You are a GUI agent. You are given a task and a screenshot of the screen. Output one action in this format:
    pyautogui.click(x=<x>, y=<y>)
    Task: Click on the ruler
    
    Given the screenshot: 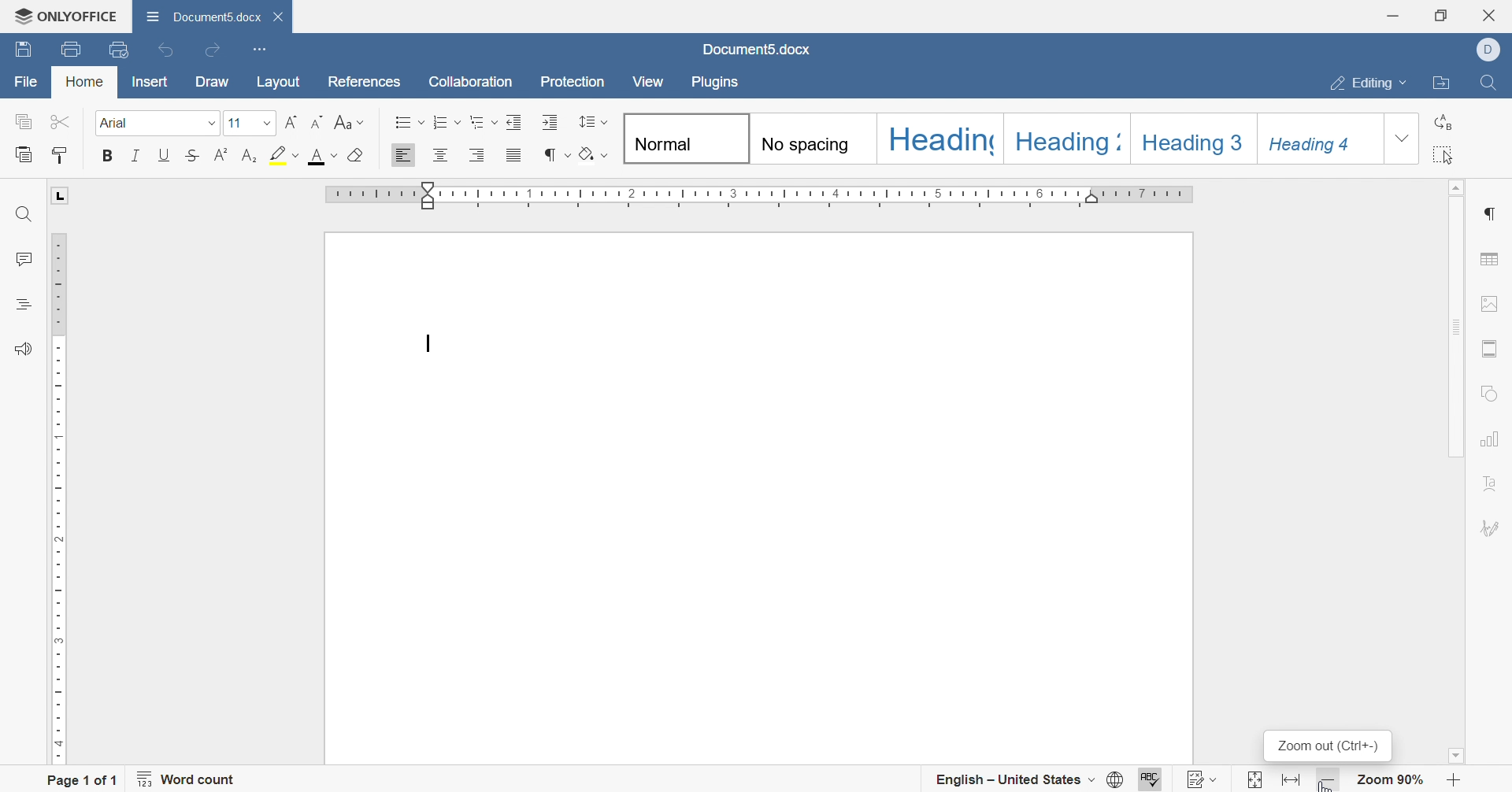 What is the action you would take?
    pyautogui.click(x=57, y=498)
    